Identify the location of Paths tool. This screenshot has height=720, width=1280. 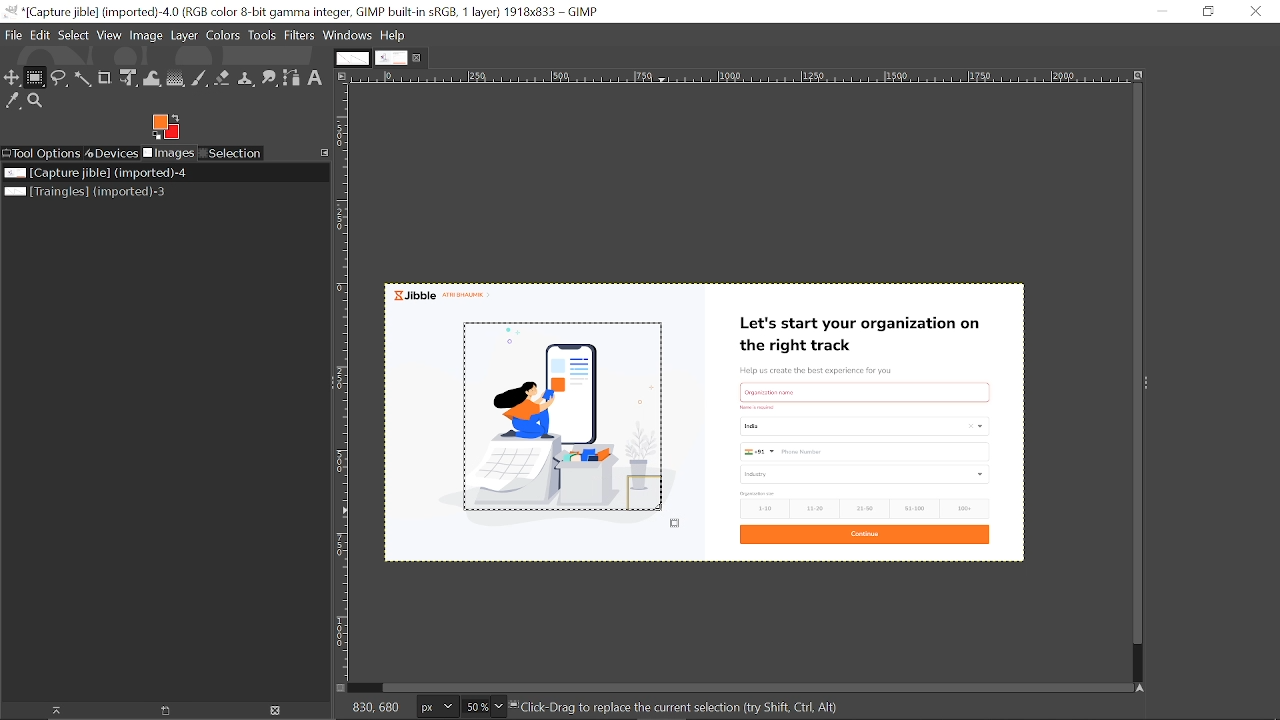
(292, 78).